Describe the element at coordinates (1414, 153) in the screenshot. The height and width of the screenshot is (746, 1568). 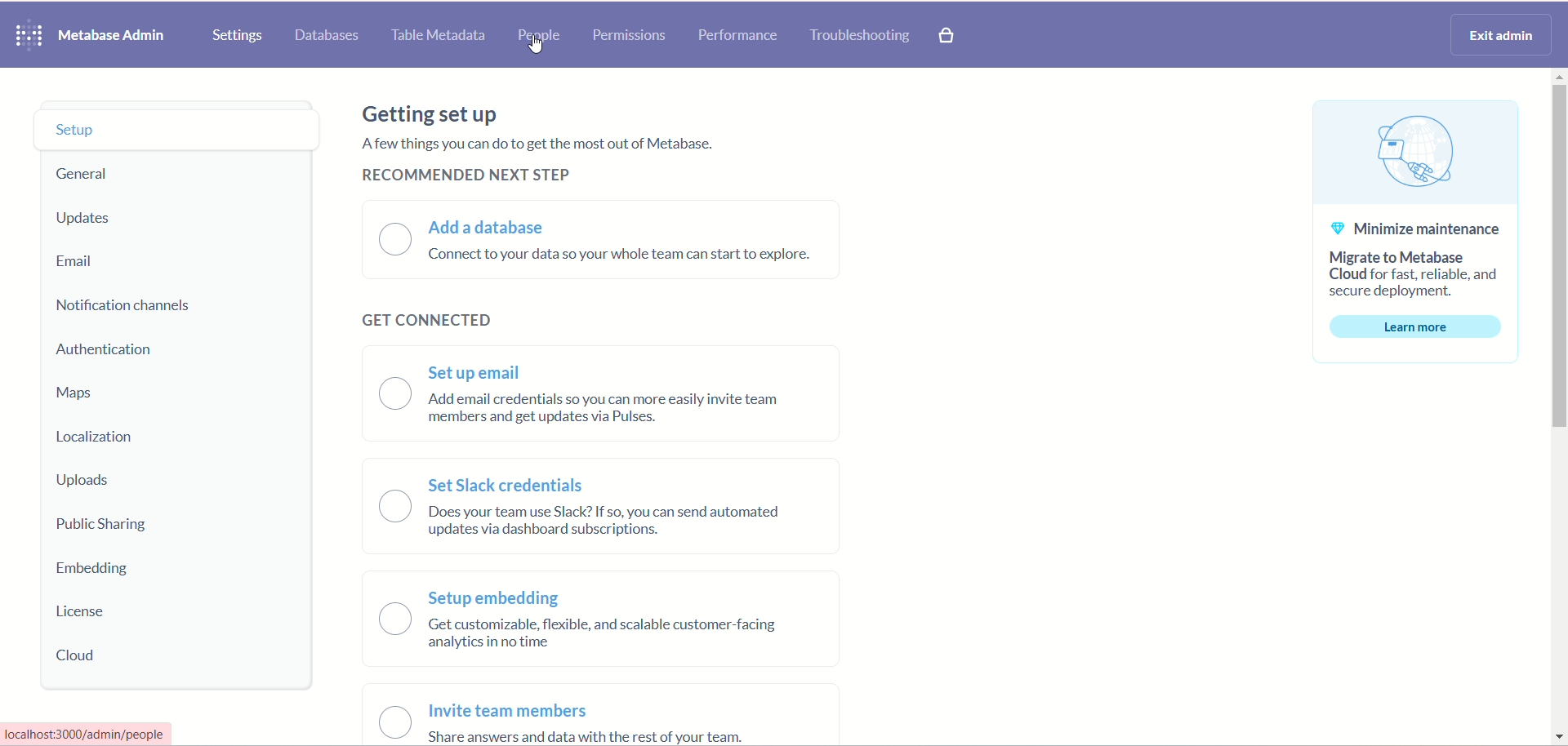
I see `image` at that location.